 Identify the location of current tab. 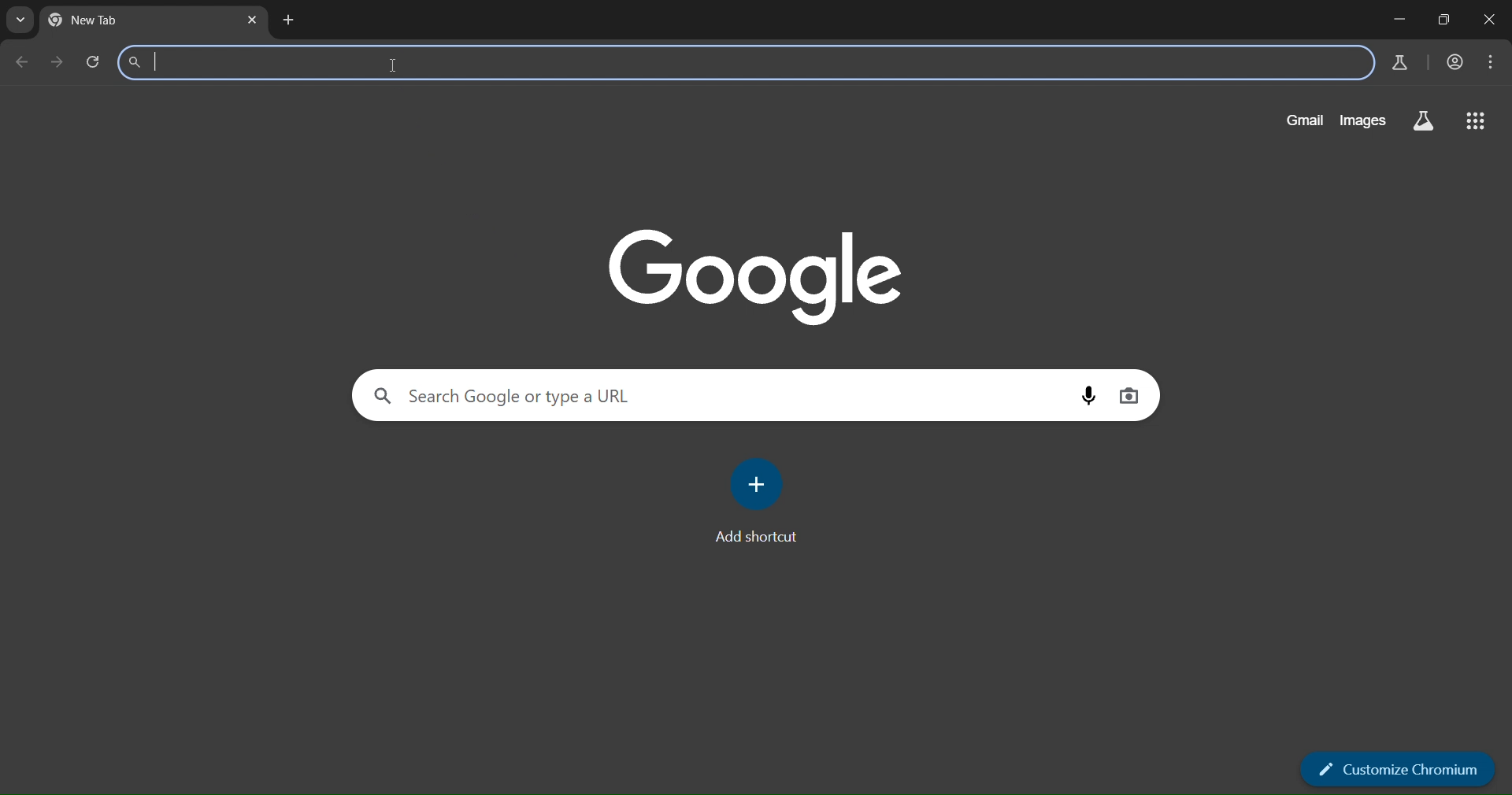
(122, 24).